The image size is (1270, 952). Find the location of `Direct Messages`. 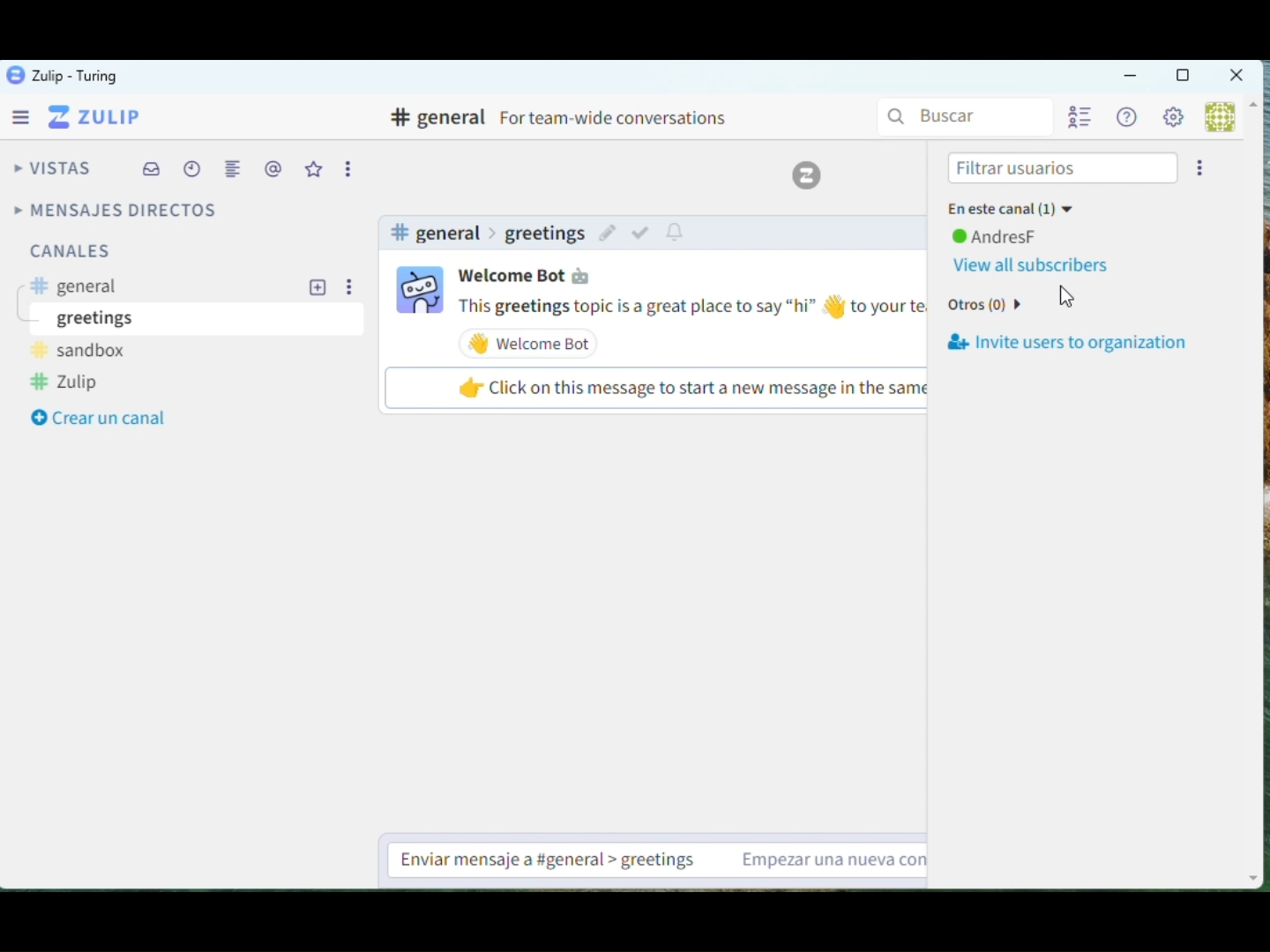

Direct Messages is located at coordinates (118, 209).